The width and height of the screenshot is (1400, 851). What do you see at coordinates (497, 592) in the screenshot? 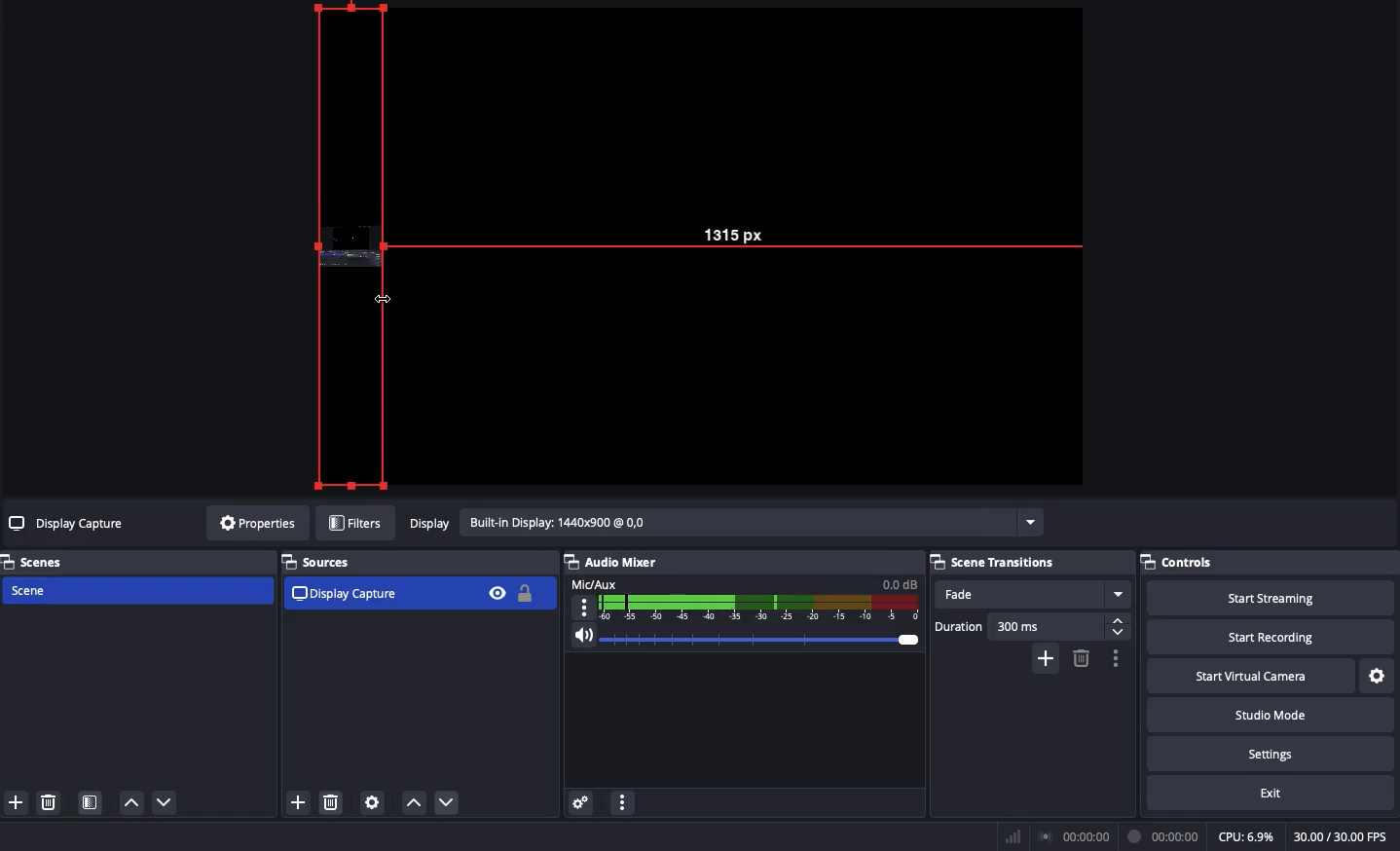
I see `Visible` at bounding box center [497, 592].